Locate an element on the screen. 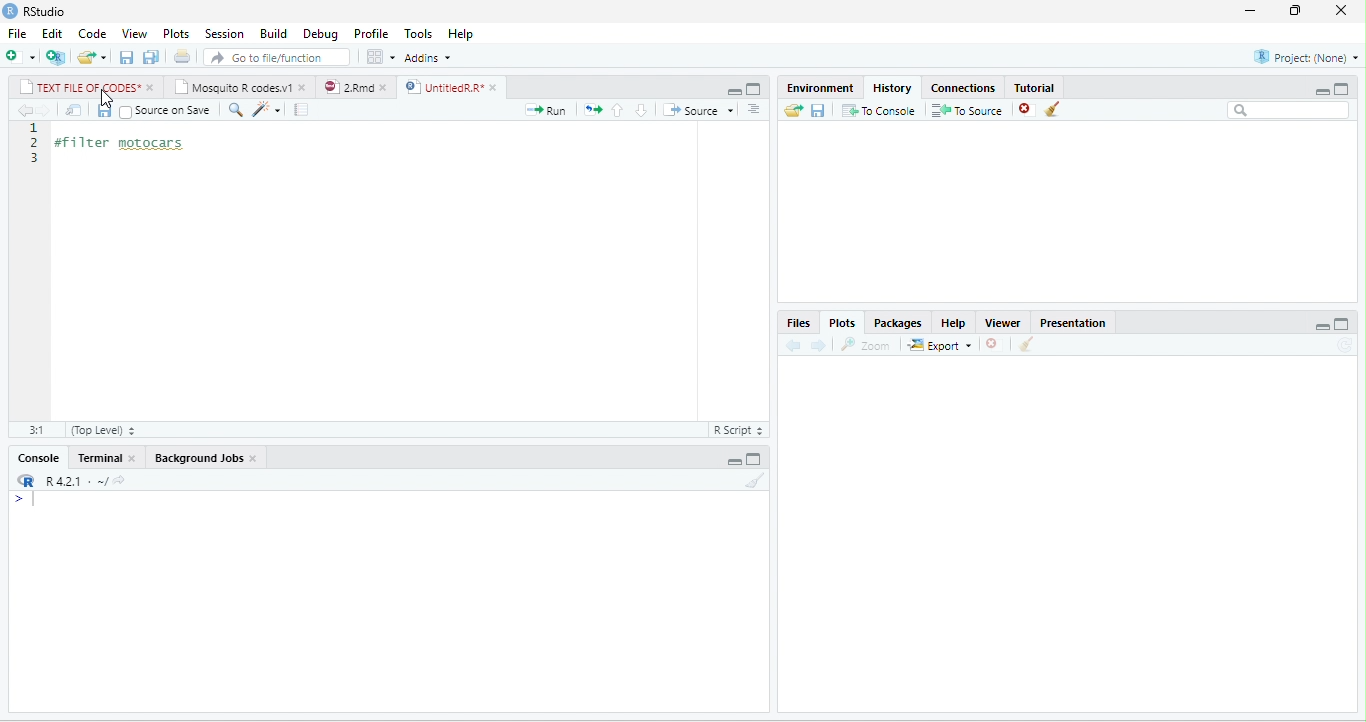 Image resolution: width=1366 pixels, height=722 pixels. File is located at coordinates (17, 33).